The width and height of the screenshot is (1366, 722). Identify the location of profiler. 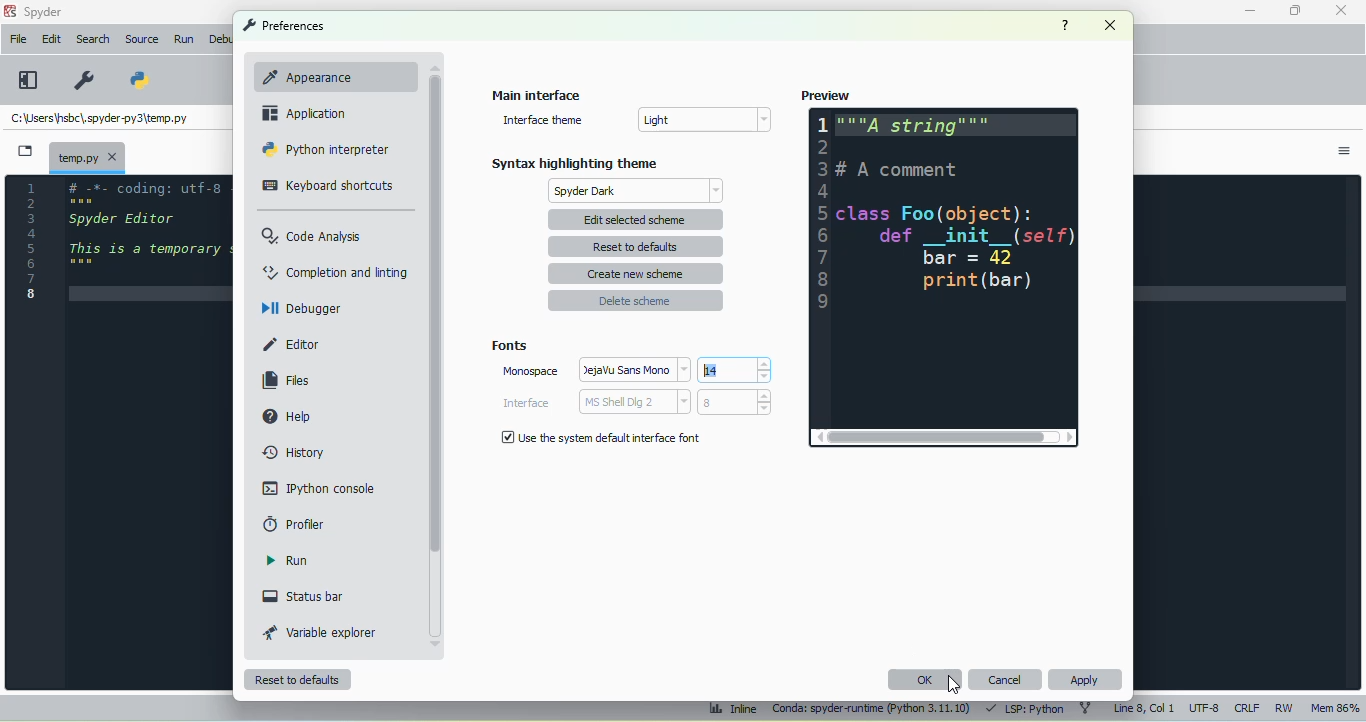
(295, 524).